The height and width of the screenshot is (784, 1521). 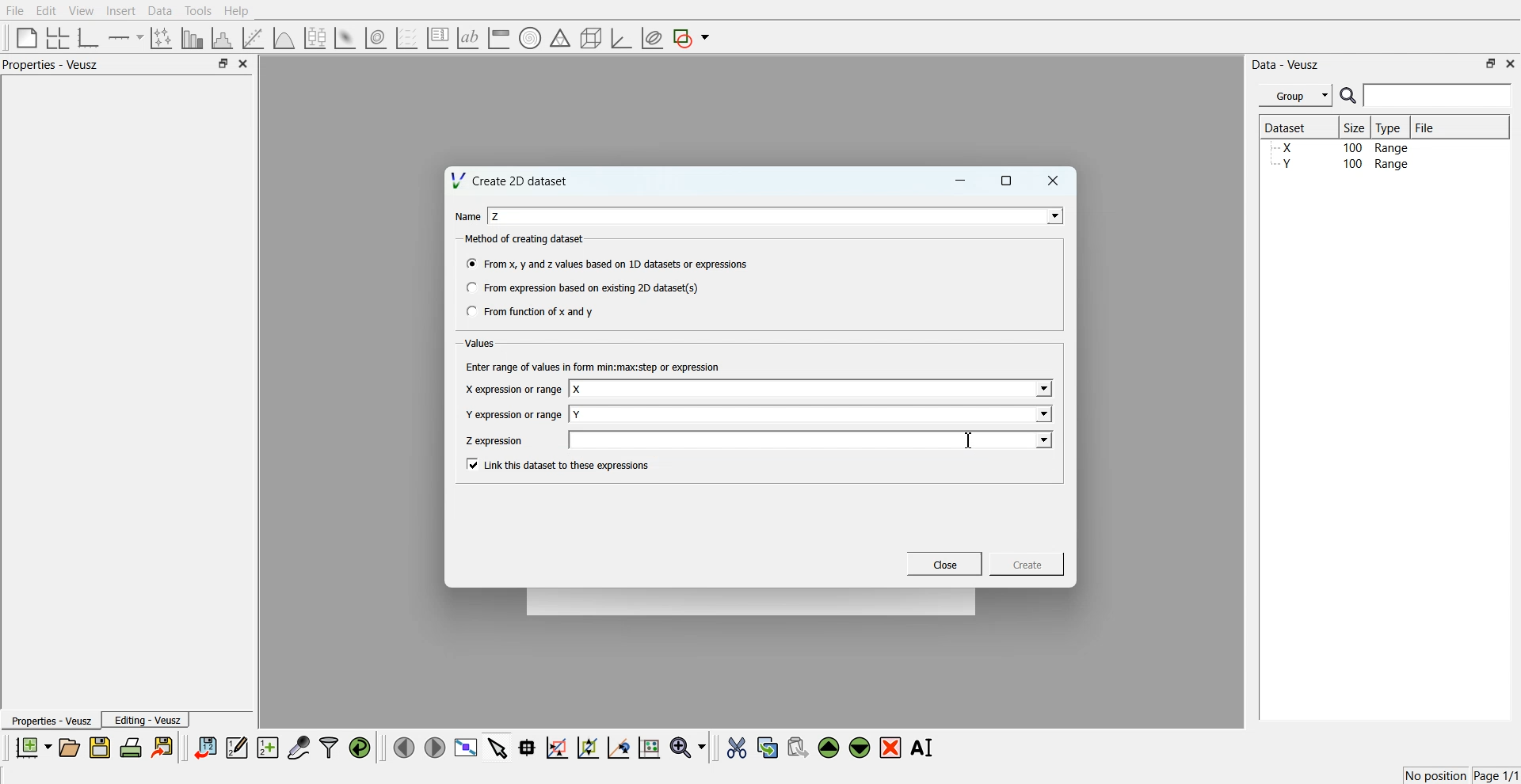 What do you see at coordinates (315, 38) in the screenshot?
I see `Plot box plots` at bounding box center [315, 38].